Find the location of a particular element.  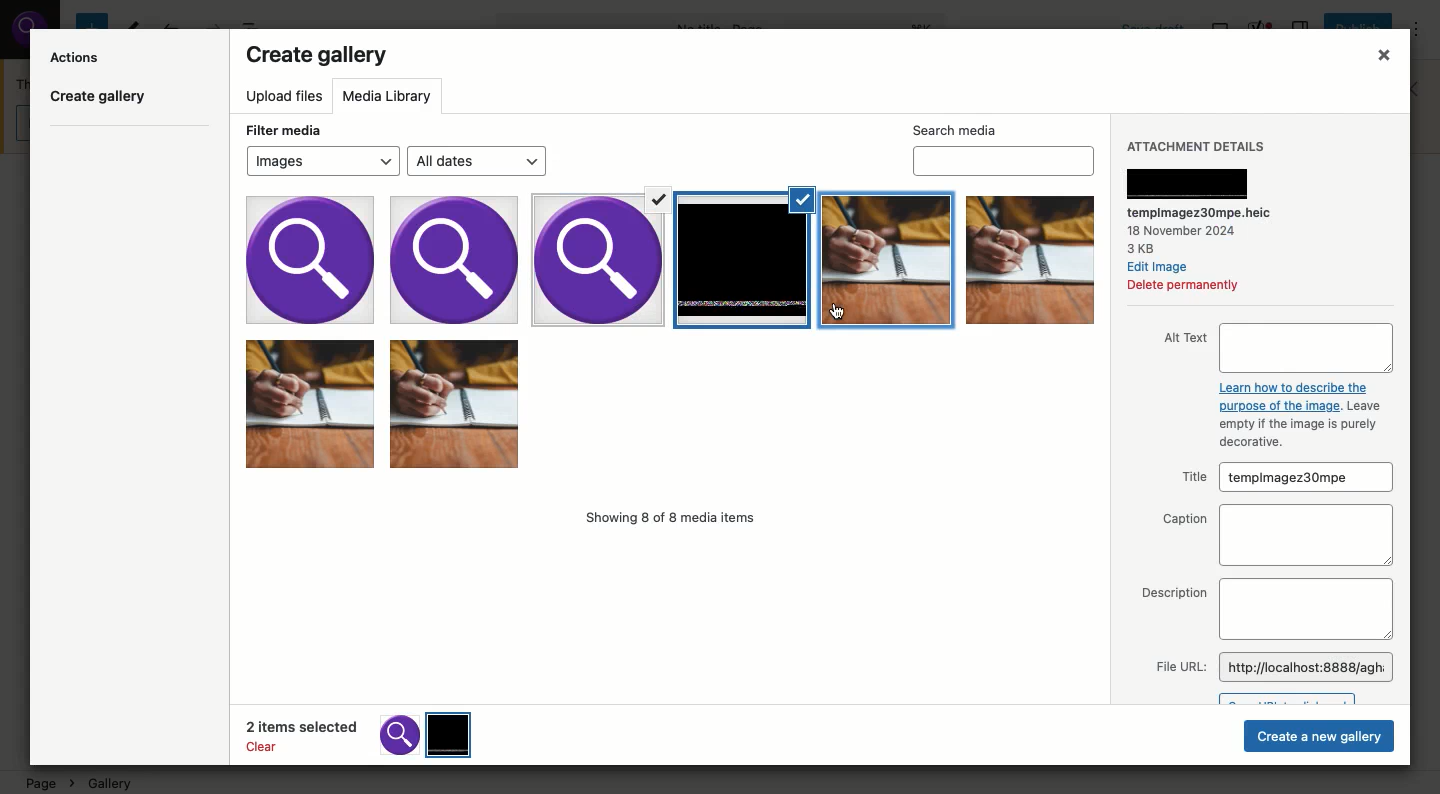

Caption is located at coordinates (1274, 535).